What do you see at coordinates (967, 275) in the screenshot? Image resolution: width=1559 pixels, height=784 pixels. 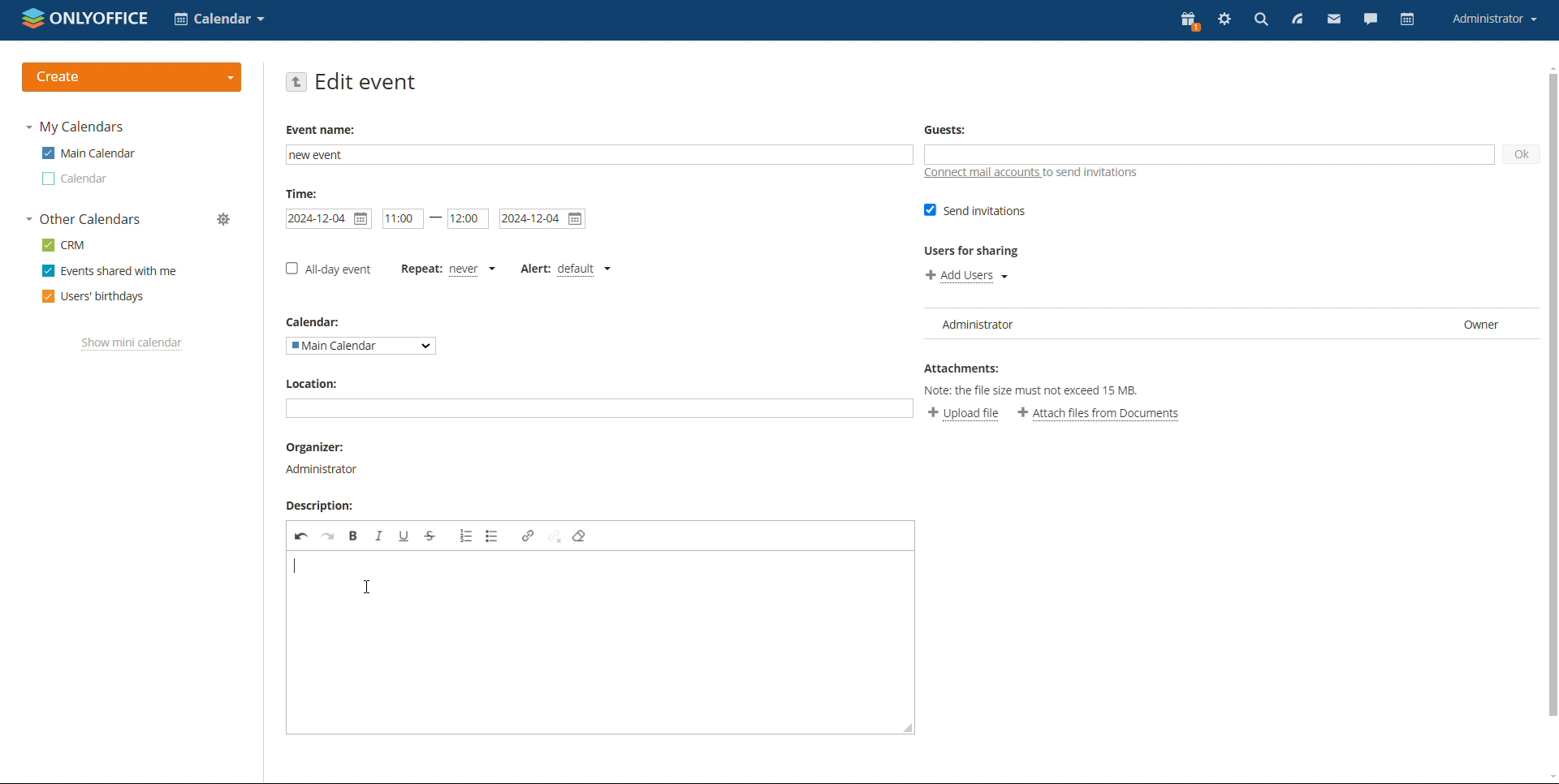 I see `add users` at bounding box center [967, 275].